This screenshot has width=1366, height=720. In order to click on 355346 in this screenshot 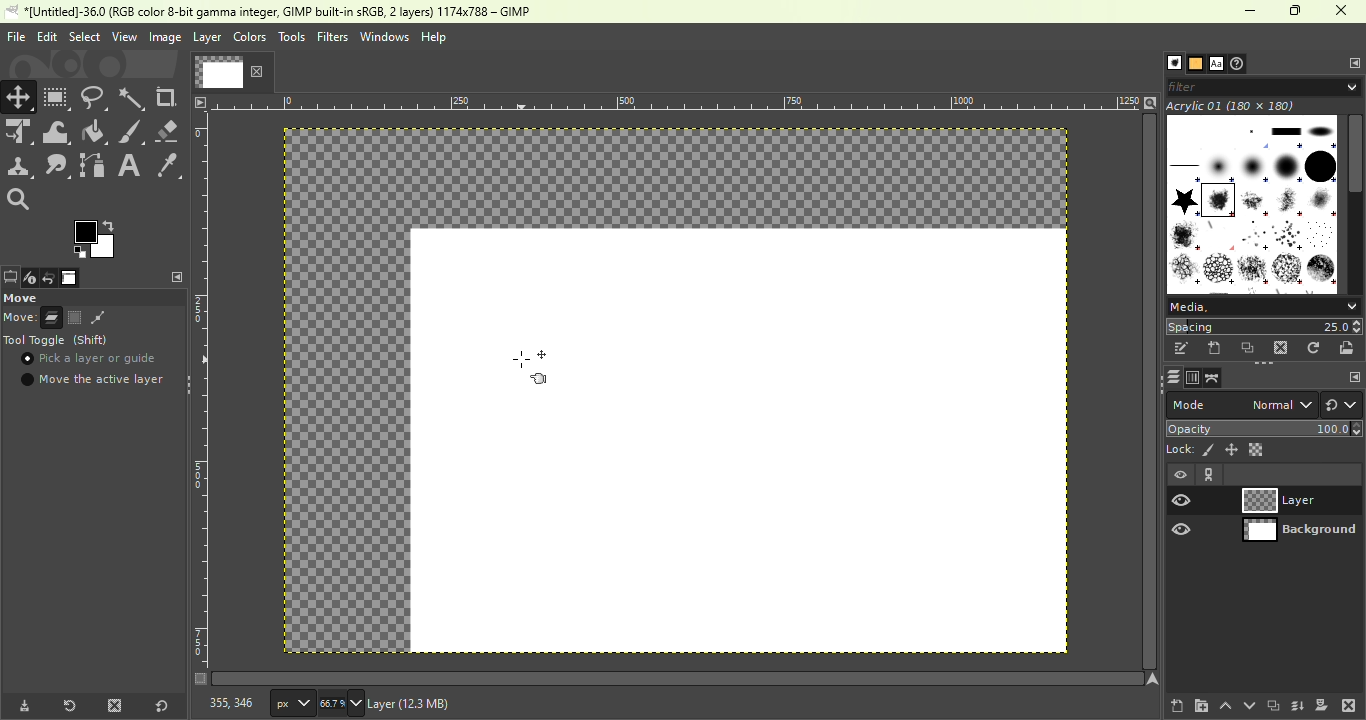, I will do `click(221, 703)`.